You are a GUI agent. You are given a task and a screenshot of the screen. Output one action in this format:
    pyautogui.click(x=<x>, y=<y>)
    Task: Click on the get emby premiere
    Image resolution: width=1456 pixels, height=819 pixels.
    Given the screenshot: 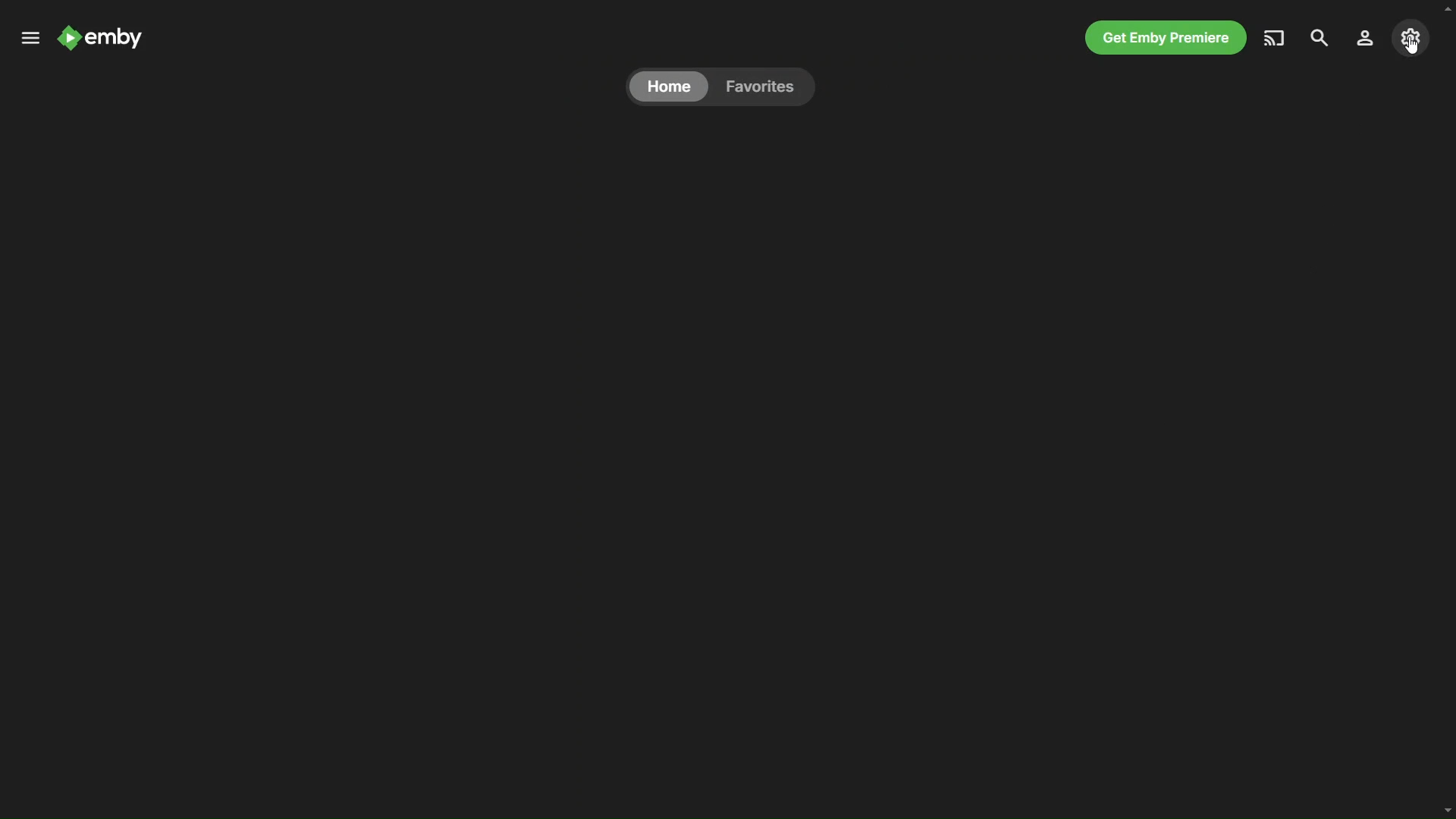 What is the action you would take?
    pyautogui.click(x=1162, y=37)
    